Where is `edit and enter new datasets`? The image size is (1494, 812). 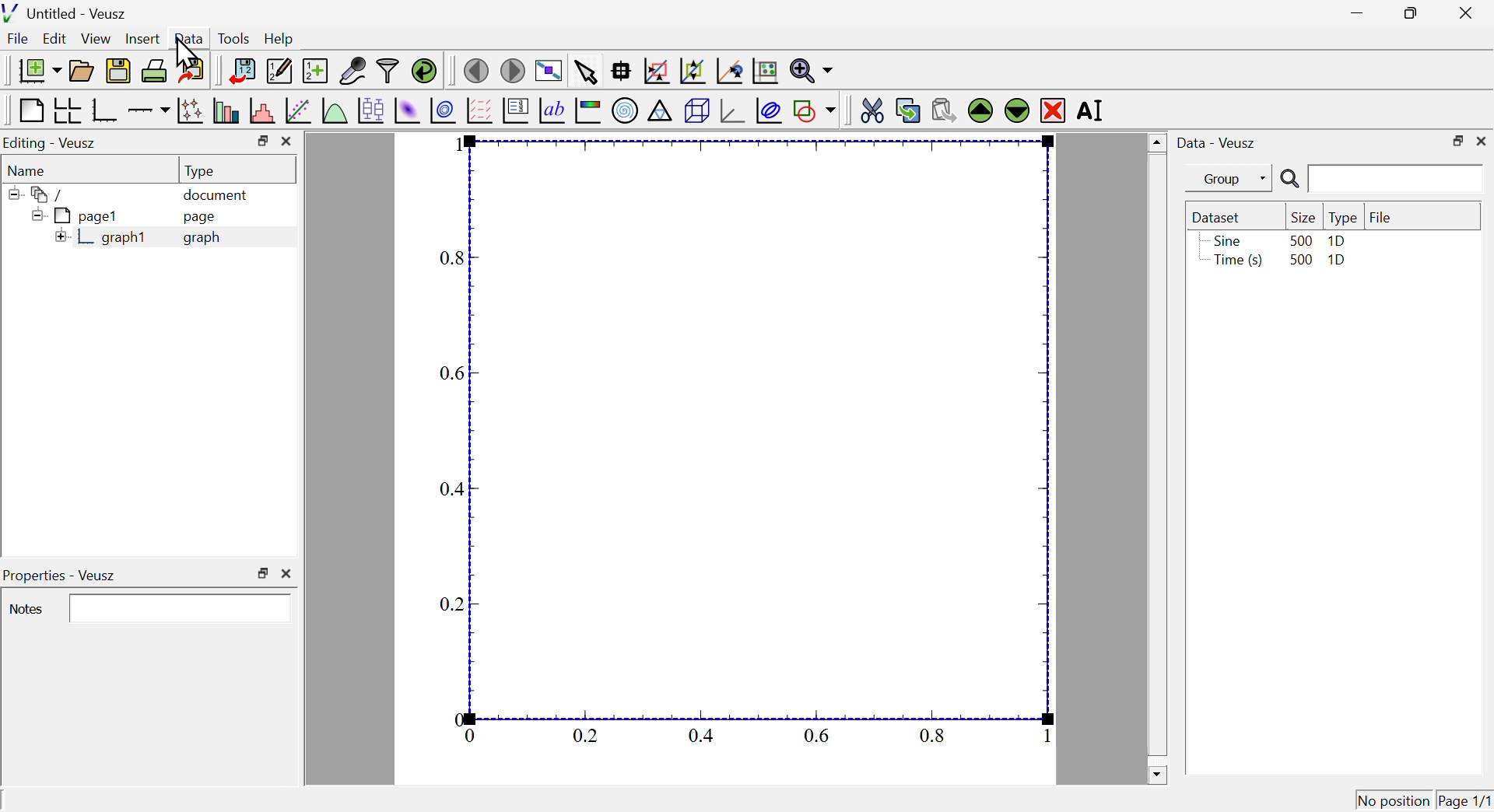
edit and enter new datasets is located at coordinates (278, 71).